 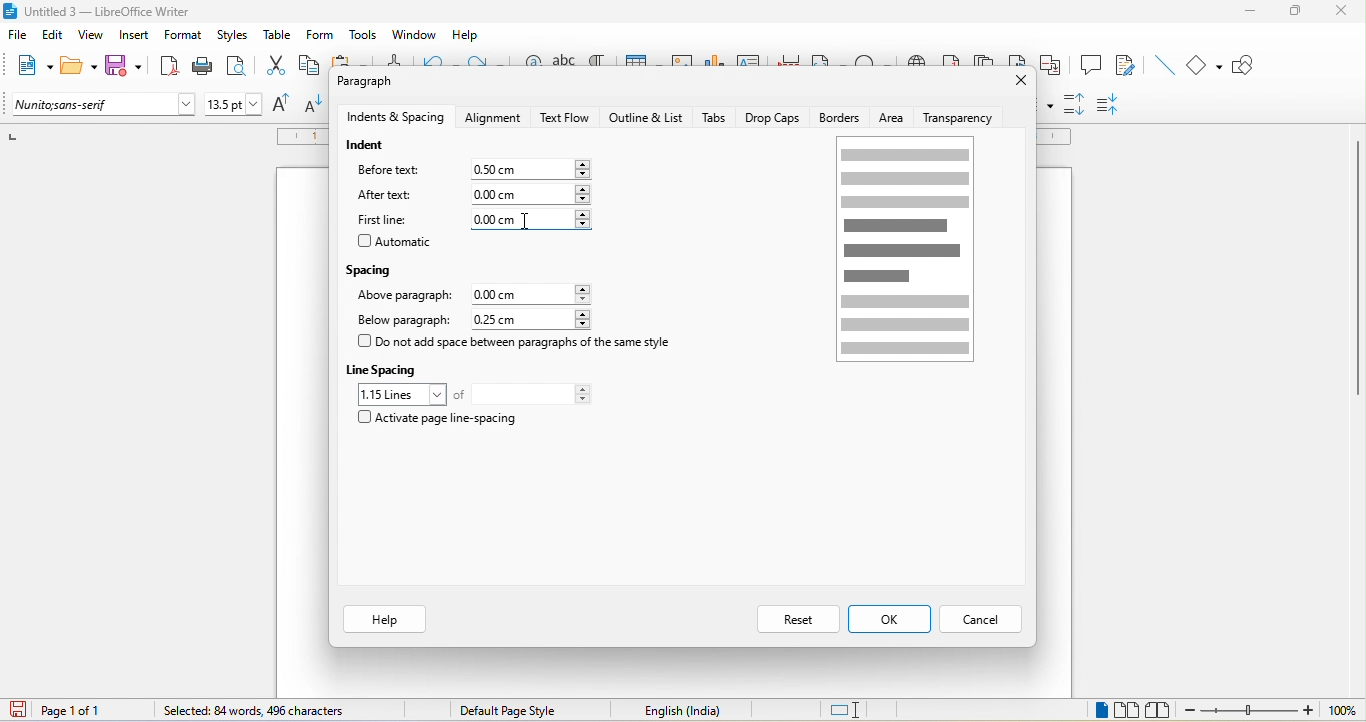 What do you see at coordinates (583, 195) in the screenshot?
I see `increase or decrease` at bounding box center [583, 195].